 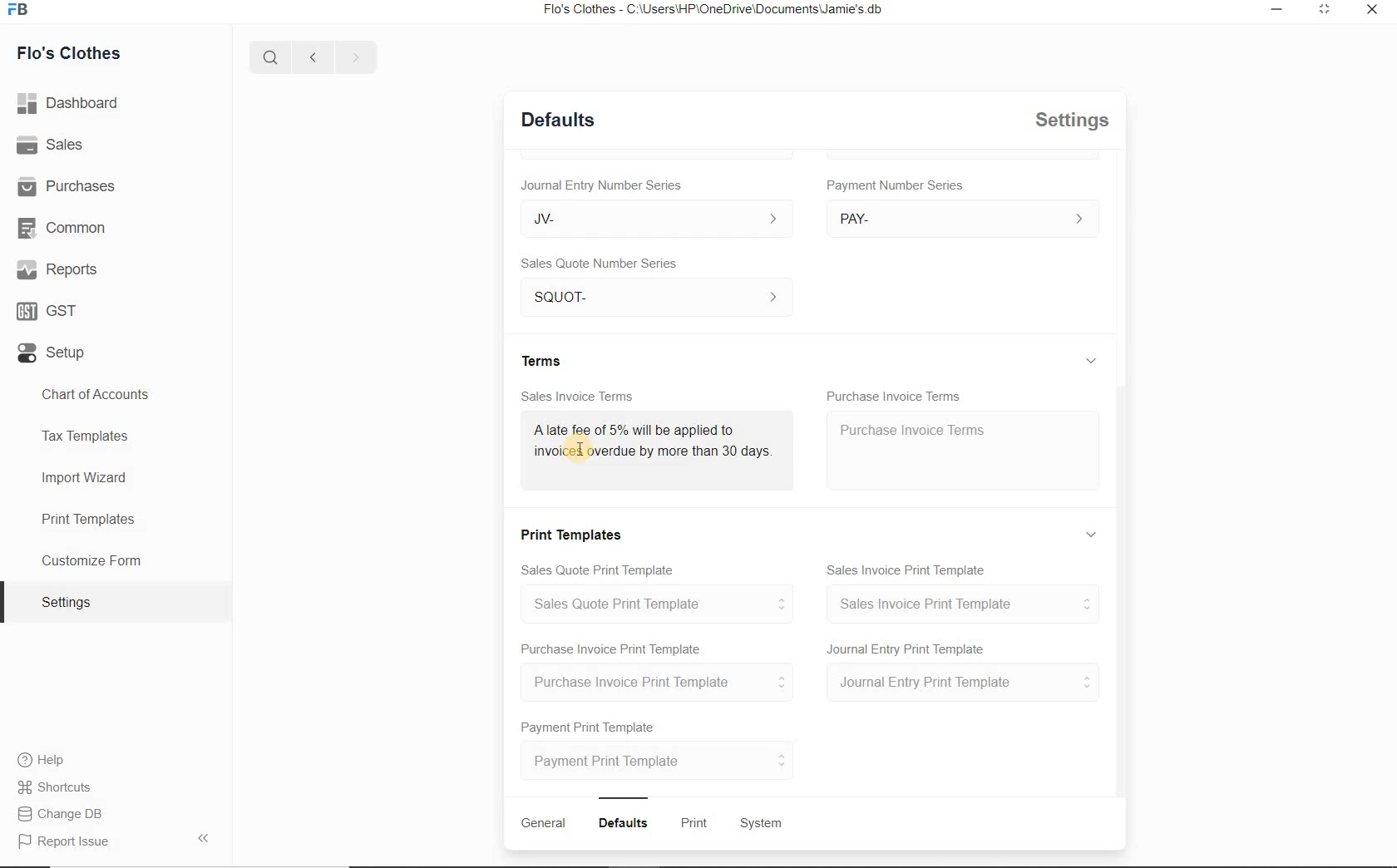 What do you see at coordinates (55, 788) in the screenshot?
I see `Shortcuts` at bounding box center [55, 788].